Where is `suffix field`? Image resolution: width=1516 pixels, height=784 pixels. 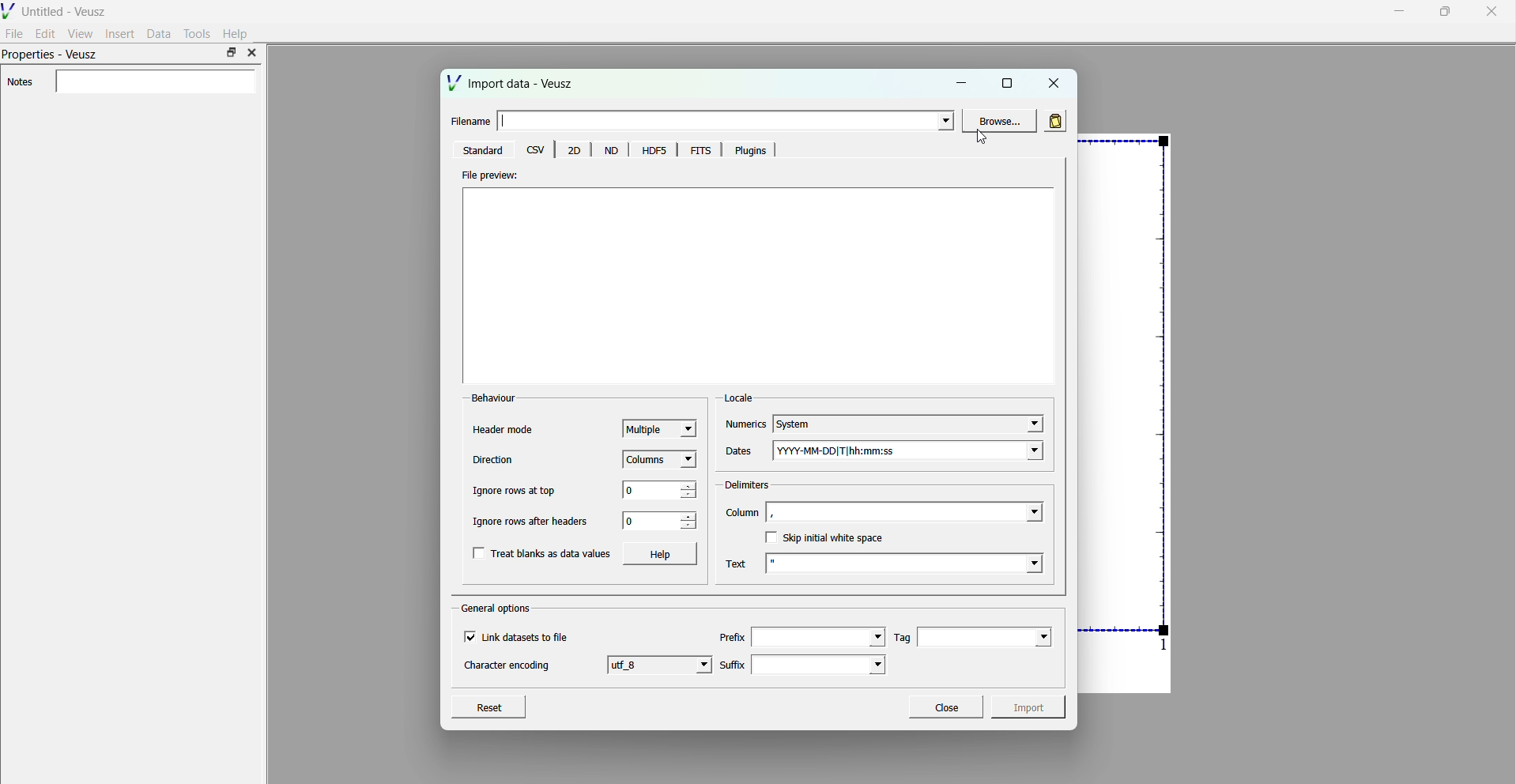
suffix field is located at coordinates (820, 665).